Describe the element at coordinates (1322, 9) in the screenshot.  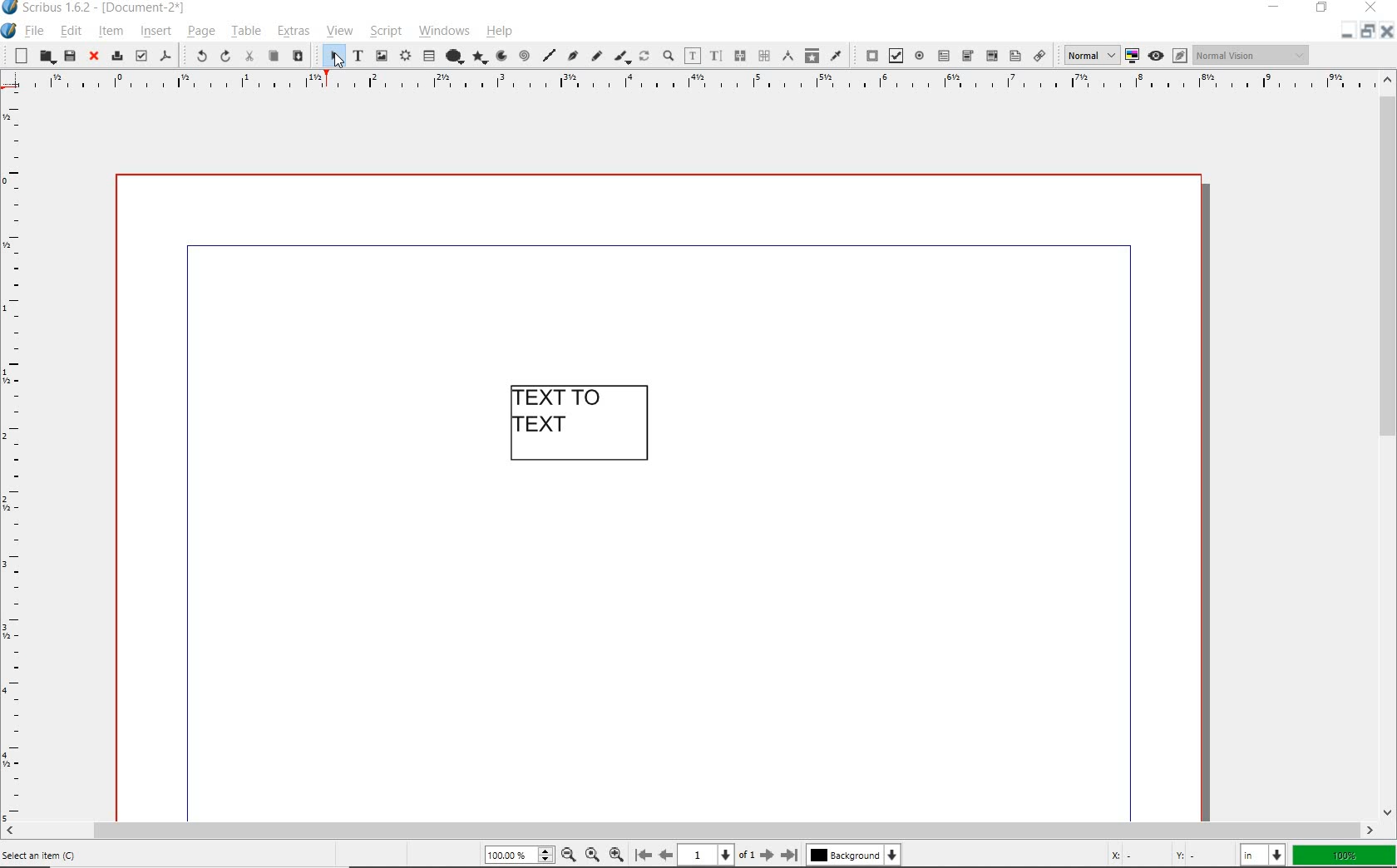
I see `restore` at that location.